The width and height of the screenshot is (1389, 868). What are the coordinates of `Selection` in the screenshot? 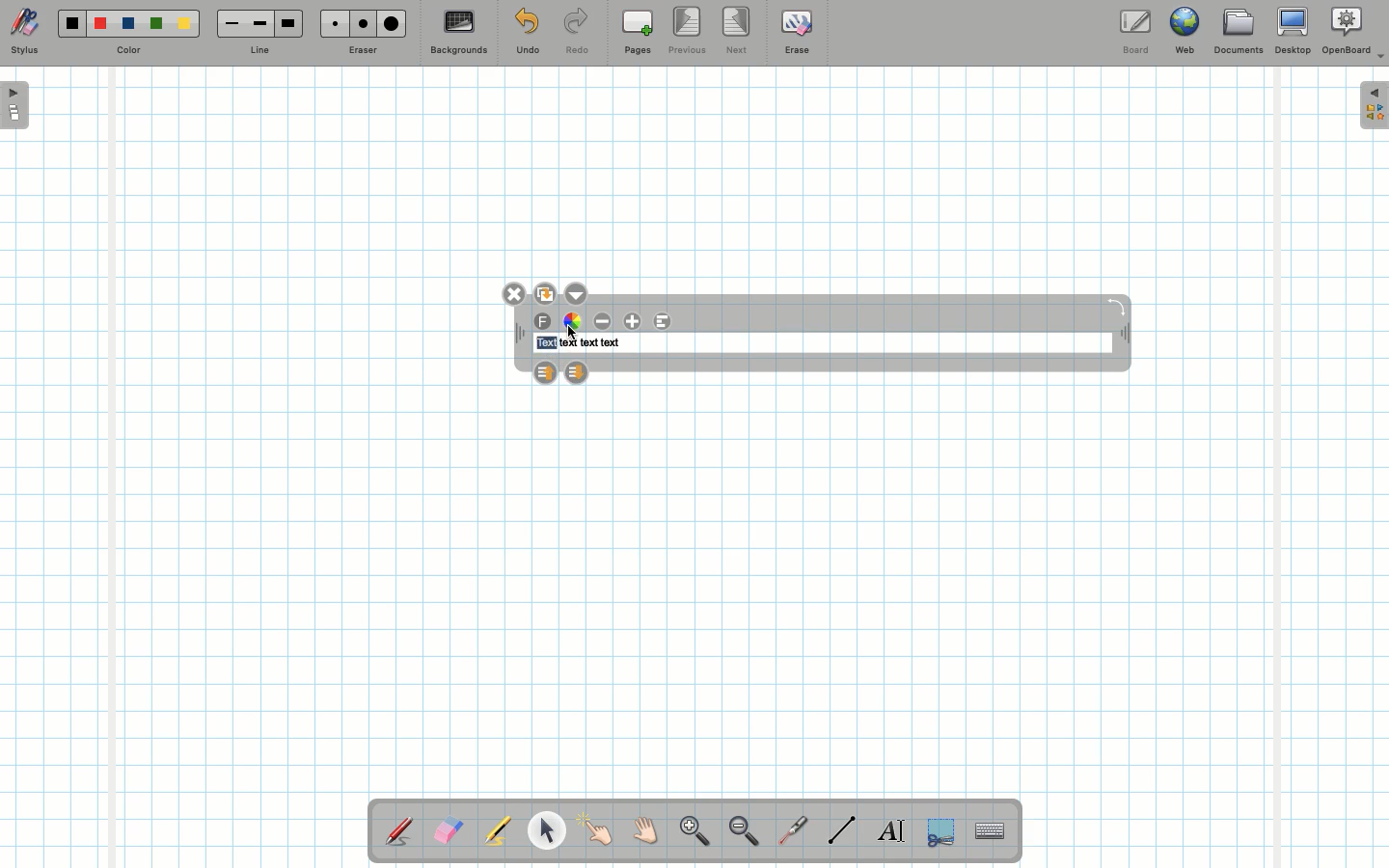 It's located at (939, 829).